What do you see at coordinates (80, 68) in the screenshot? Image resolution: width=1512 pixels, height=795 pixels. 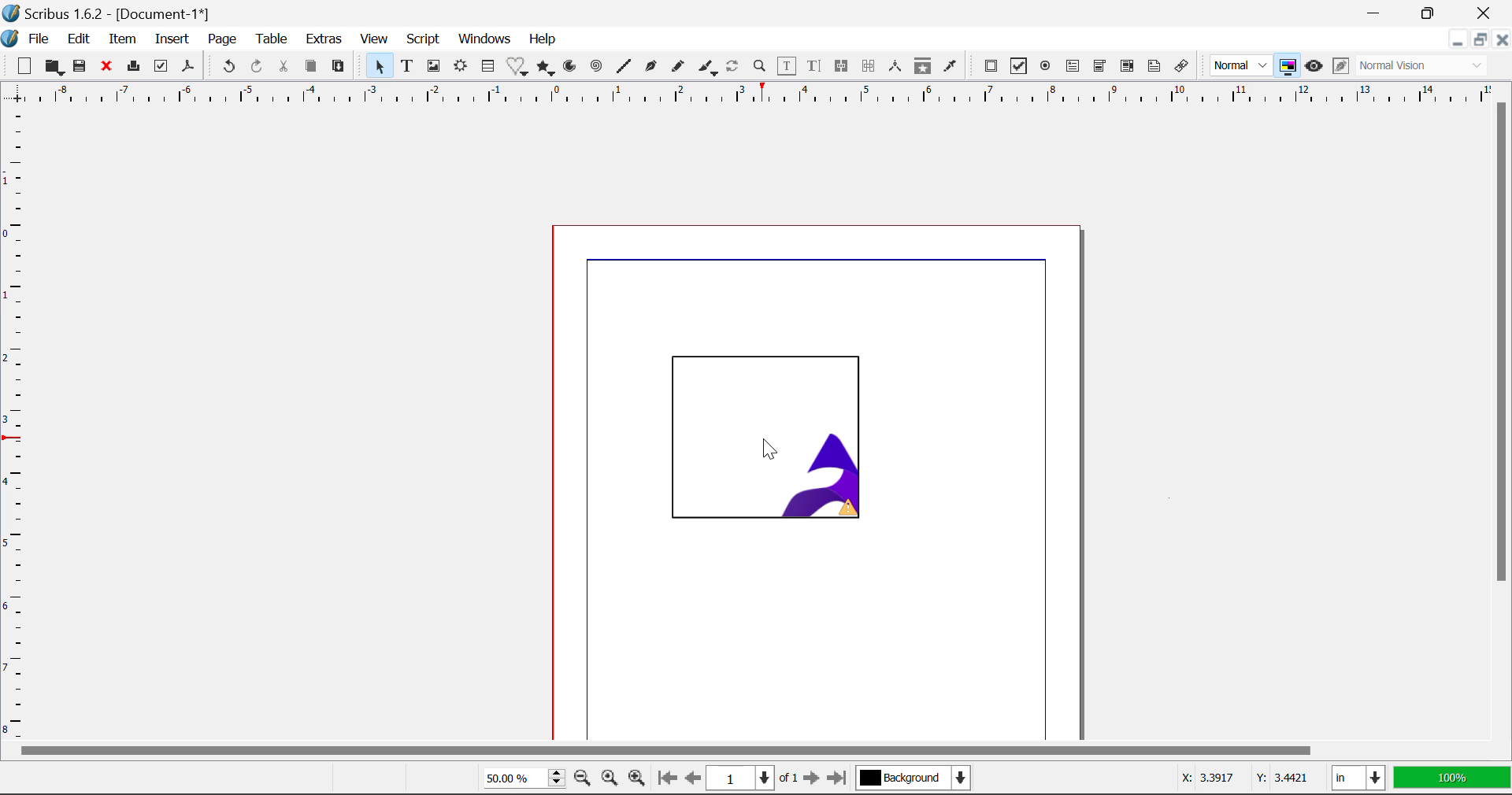 I see `Save` at bounding box center [80, 68].